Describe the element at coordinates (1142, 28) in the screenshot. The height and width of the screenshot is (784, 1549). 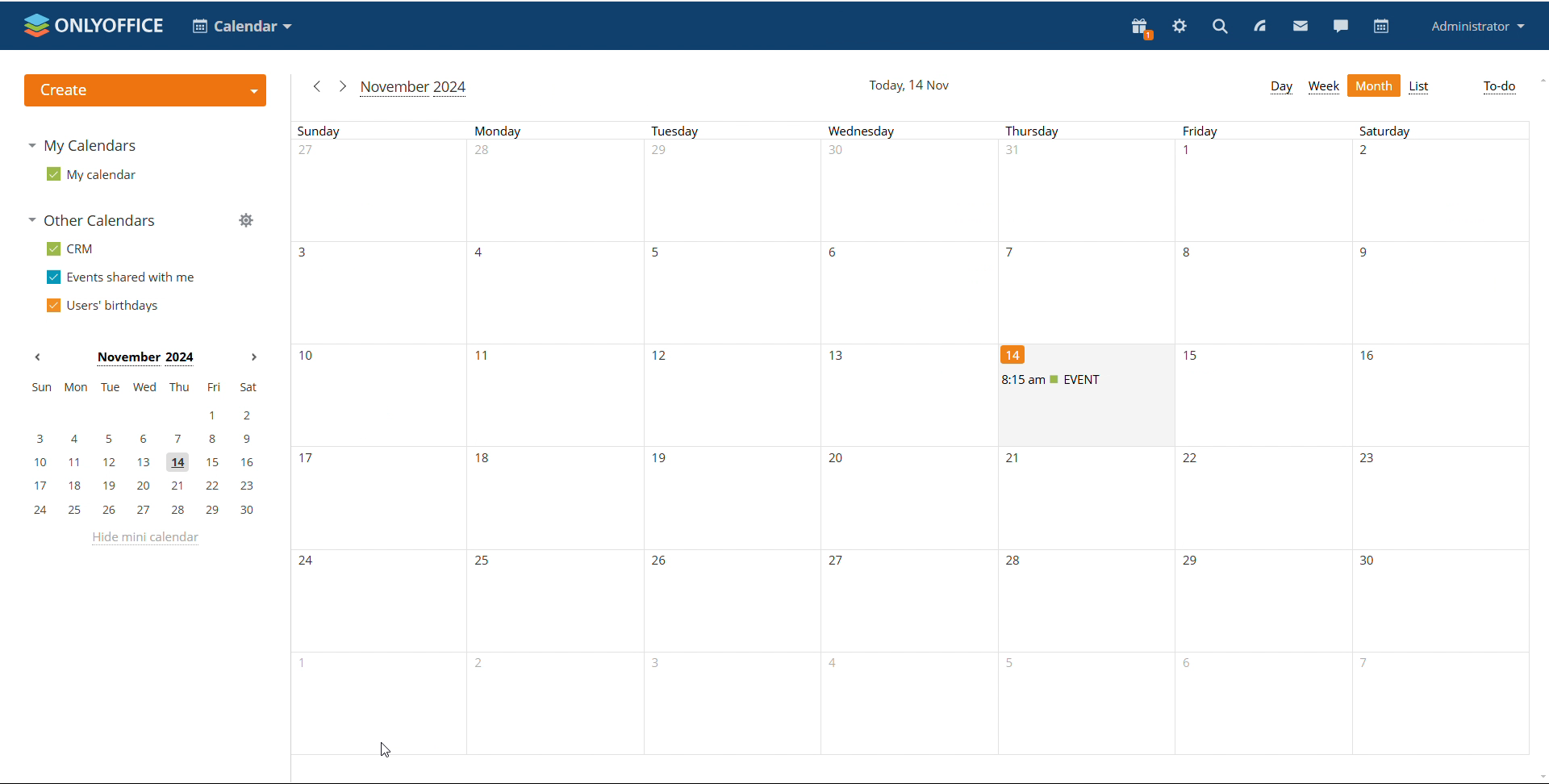
I see `reward` at that location.